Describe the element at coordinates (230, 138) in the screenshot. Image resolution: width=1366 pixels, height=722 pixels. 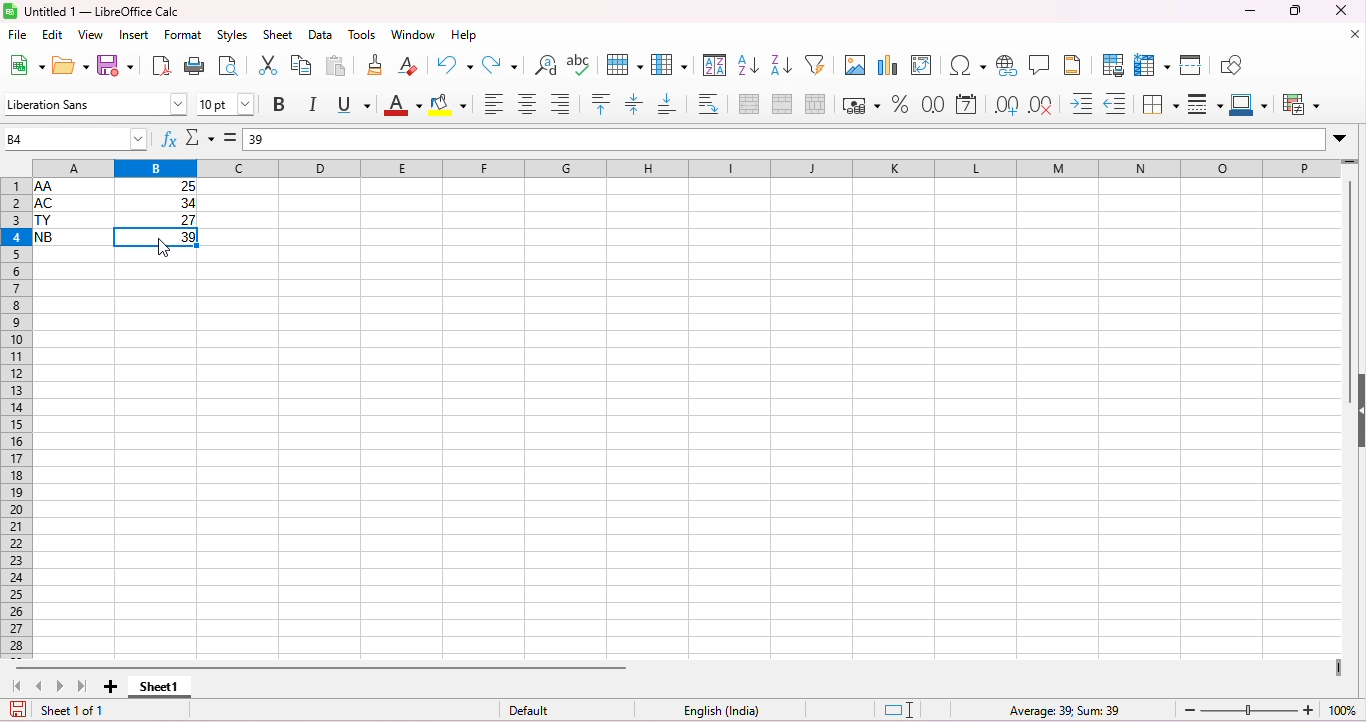
I see `=` at that location.